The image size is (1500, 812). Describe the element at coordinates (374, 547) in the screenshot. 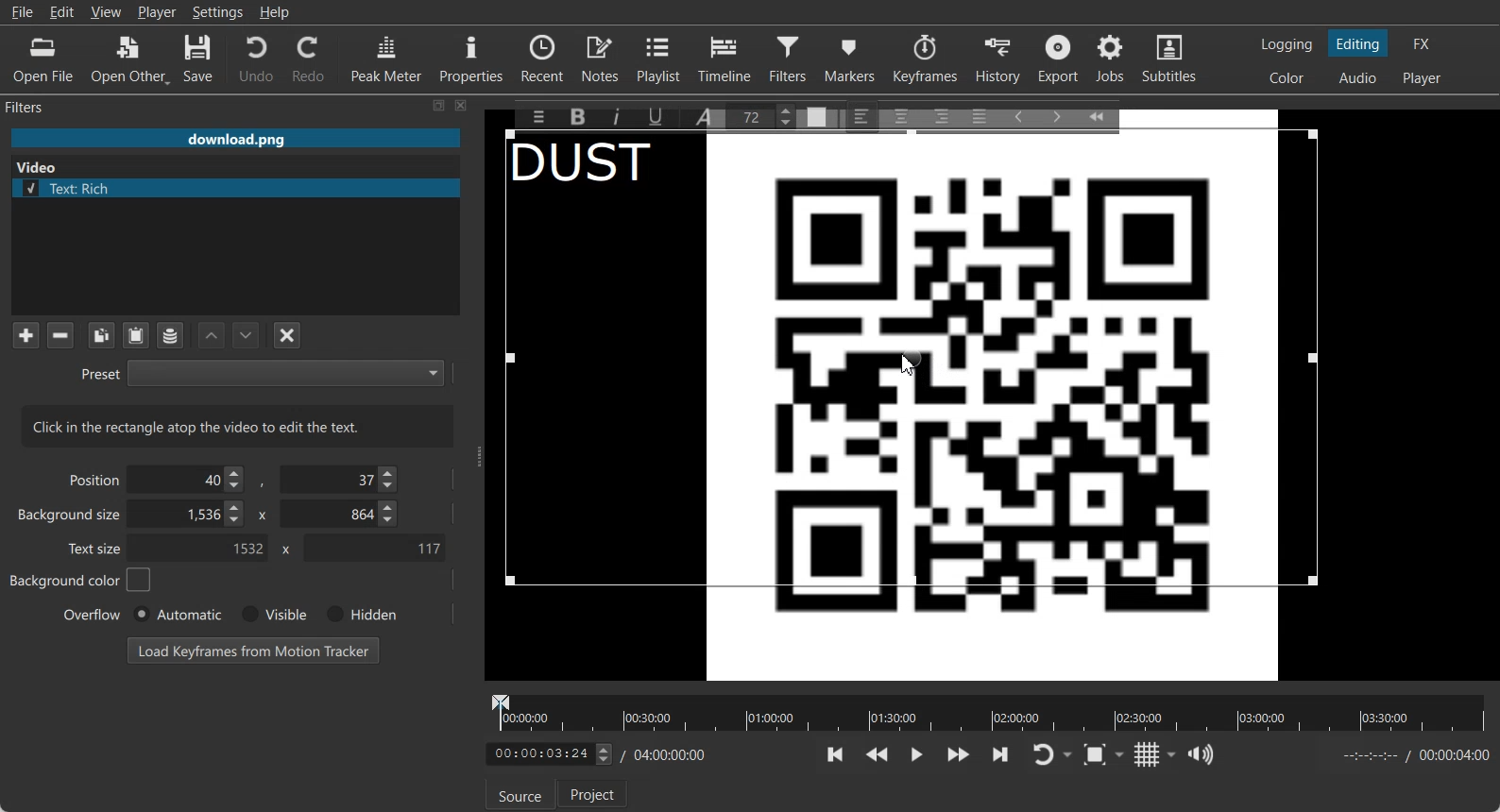

I see `Text Size Y- Coordinate` at that location.